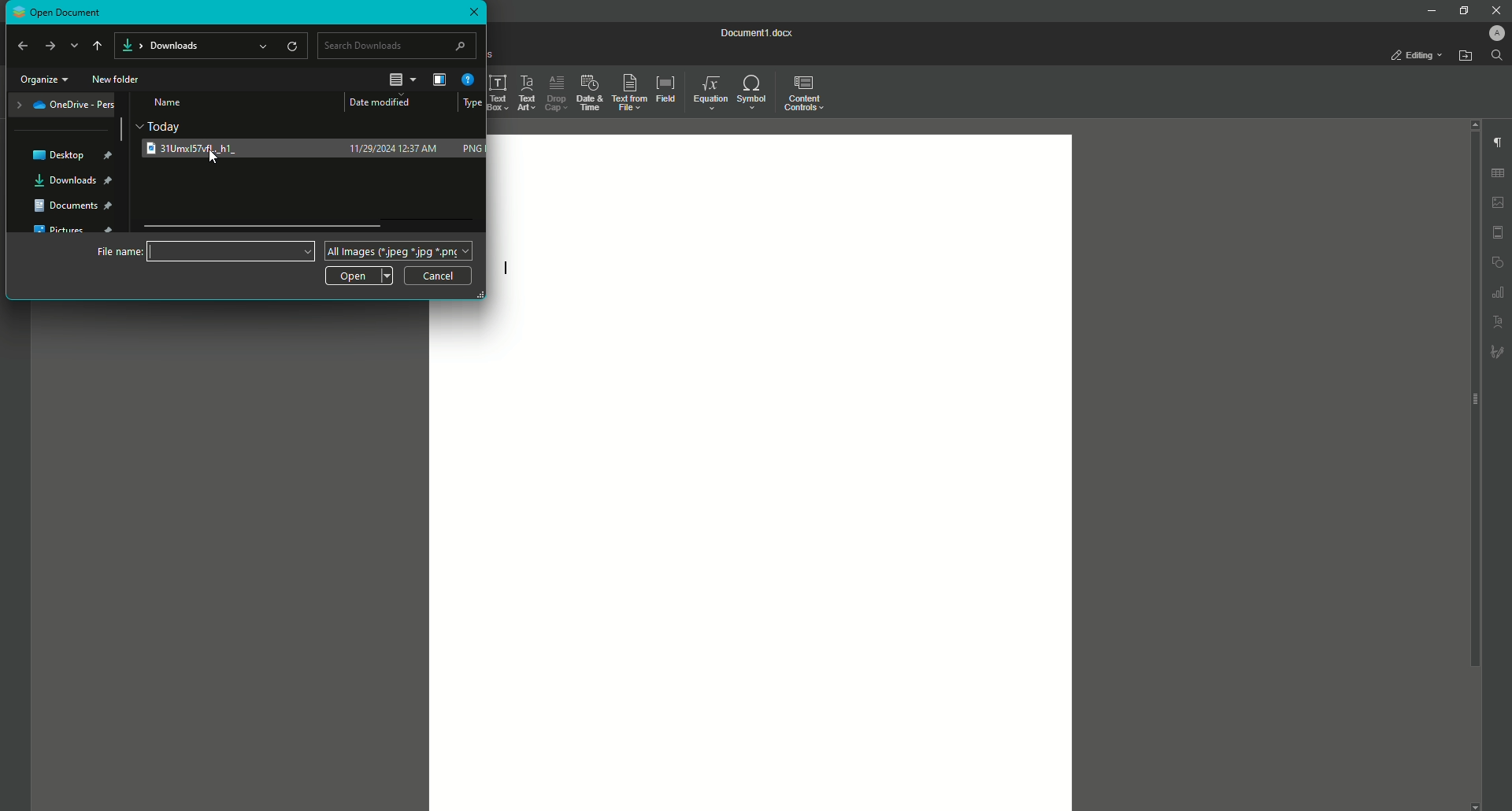 This screenshot has height=811, width=1512. Describe the element at coordinates (44, 80) in the screenshot. I see `Organize` at that location.